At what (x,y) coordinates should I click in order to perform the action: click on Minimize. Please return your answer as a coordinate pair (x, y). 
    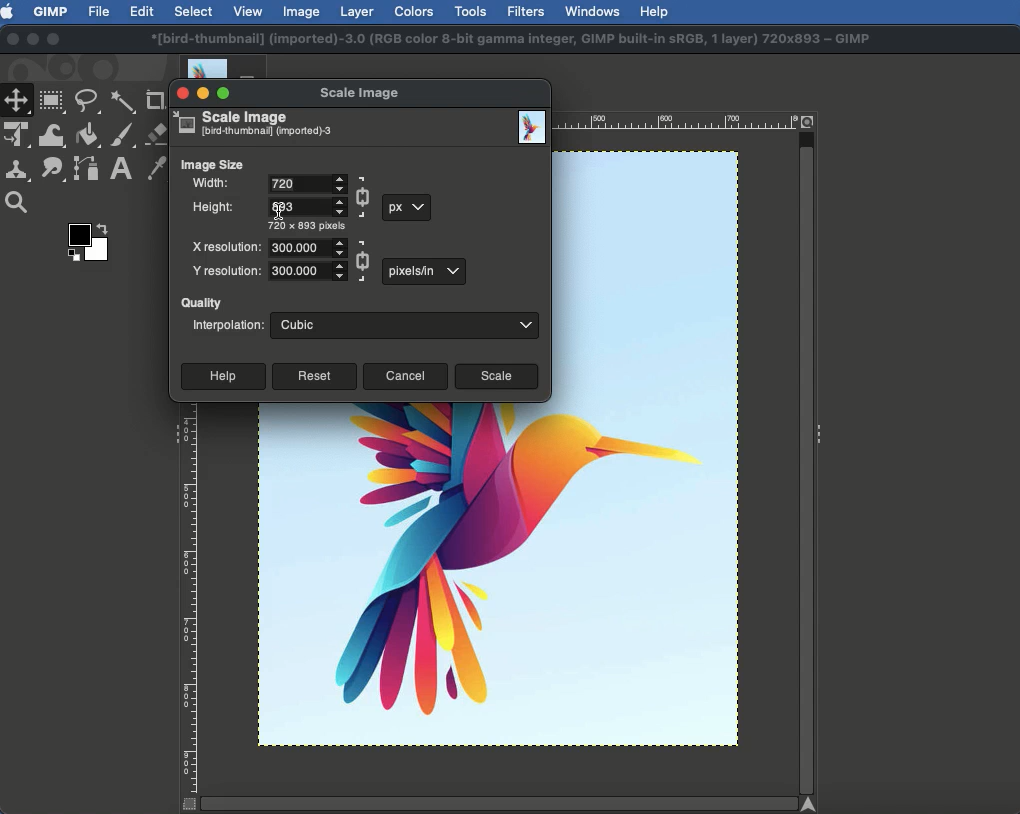
    Looking at the image, I should click on (32, 38).